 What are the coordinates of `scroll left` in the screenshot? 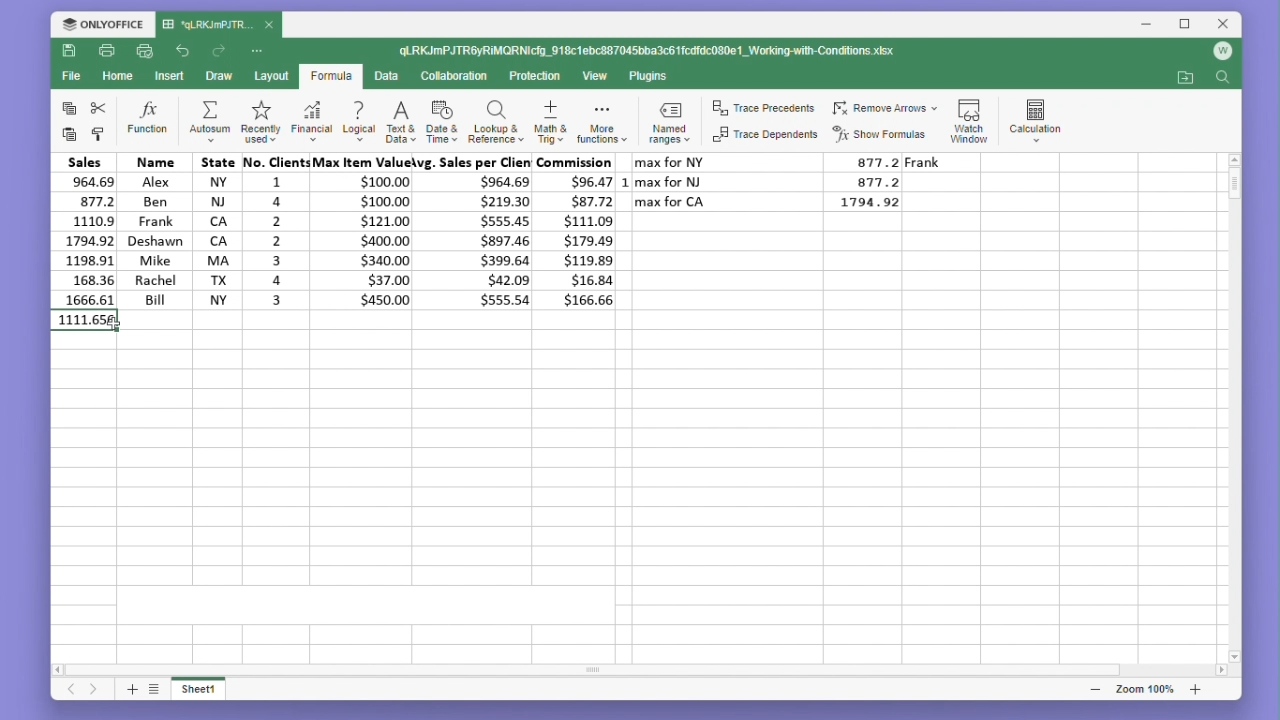 It's located at (61, 672).